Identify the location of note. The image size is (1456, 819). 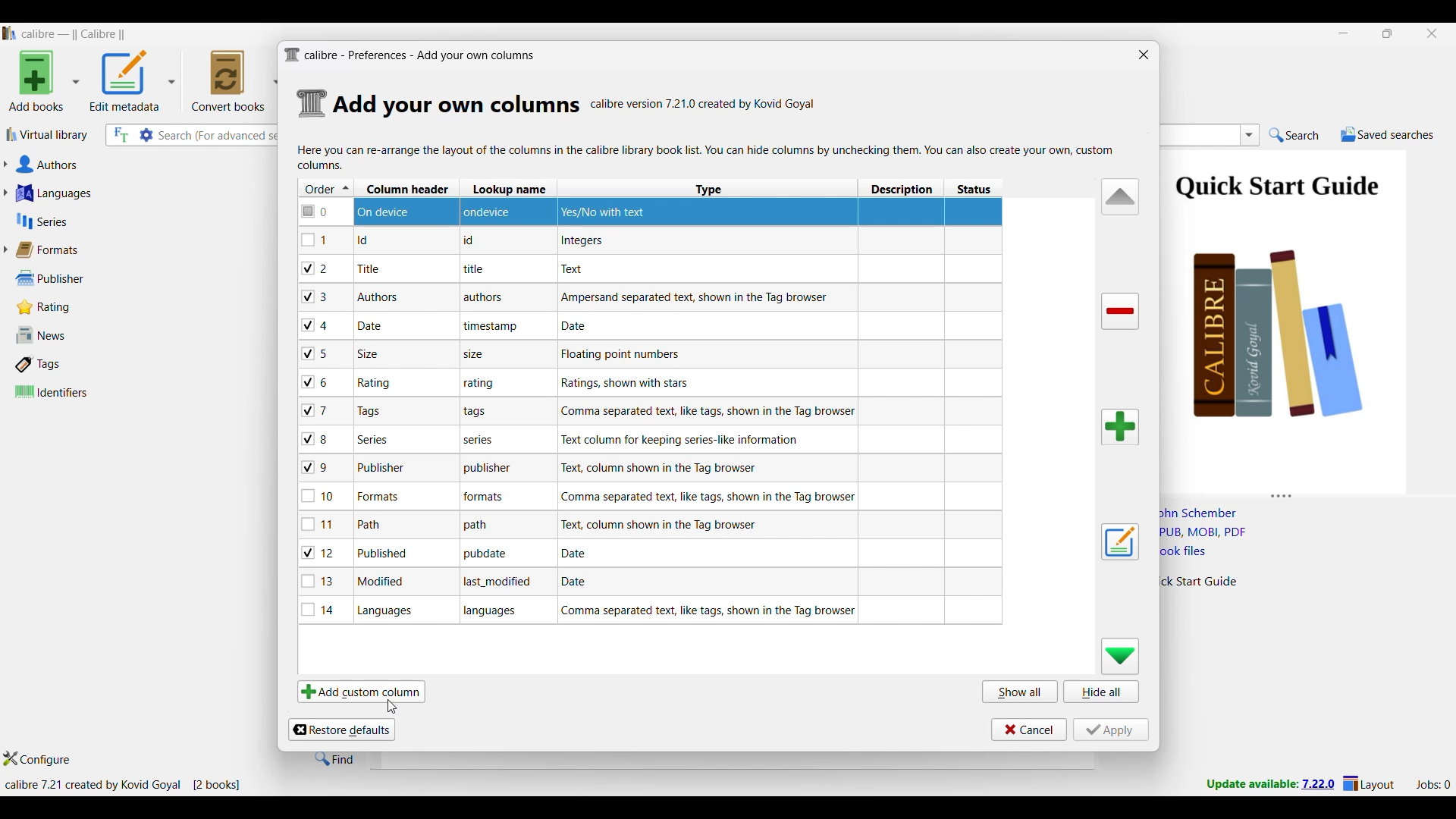
(494, 611).